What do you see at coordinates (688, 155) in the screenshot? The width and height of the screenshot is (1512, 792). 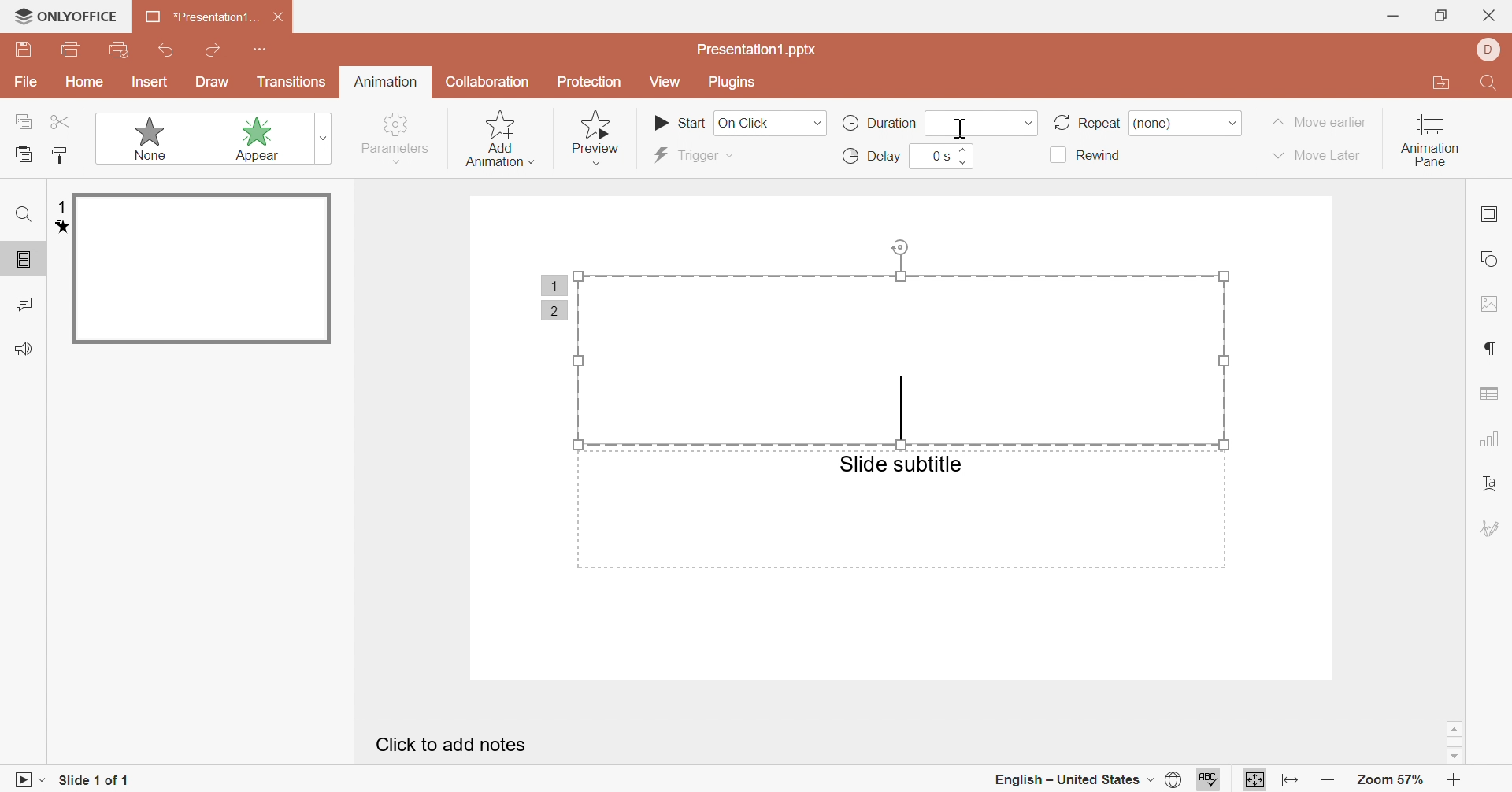 I see `trigger` at bounding box center [688, 155].